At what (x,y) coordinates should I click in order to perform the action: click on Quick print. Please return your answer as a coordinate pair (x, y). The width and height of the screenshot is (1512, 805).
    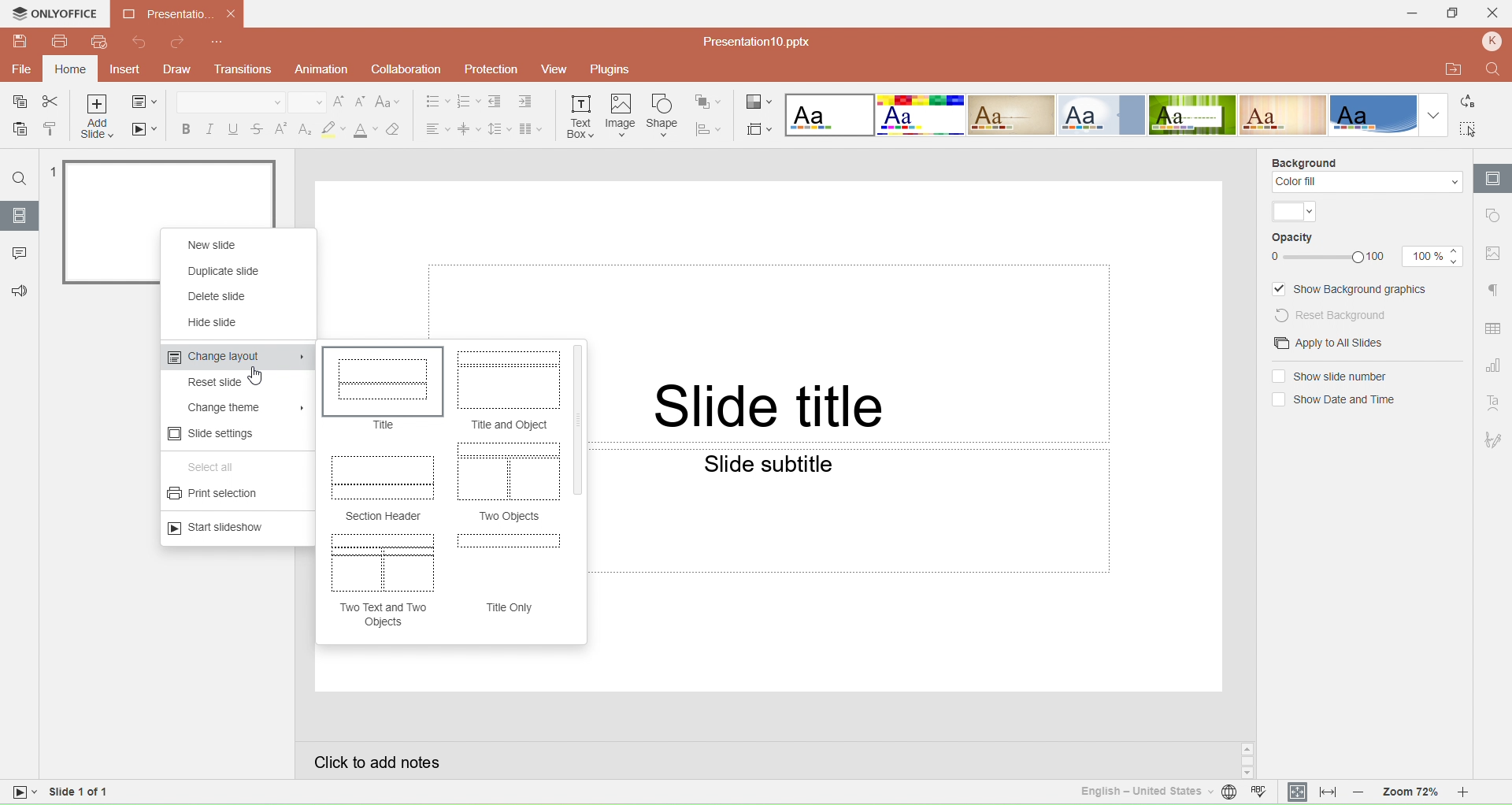
    Looking at the image, I should click on (98, 43).